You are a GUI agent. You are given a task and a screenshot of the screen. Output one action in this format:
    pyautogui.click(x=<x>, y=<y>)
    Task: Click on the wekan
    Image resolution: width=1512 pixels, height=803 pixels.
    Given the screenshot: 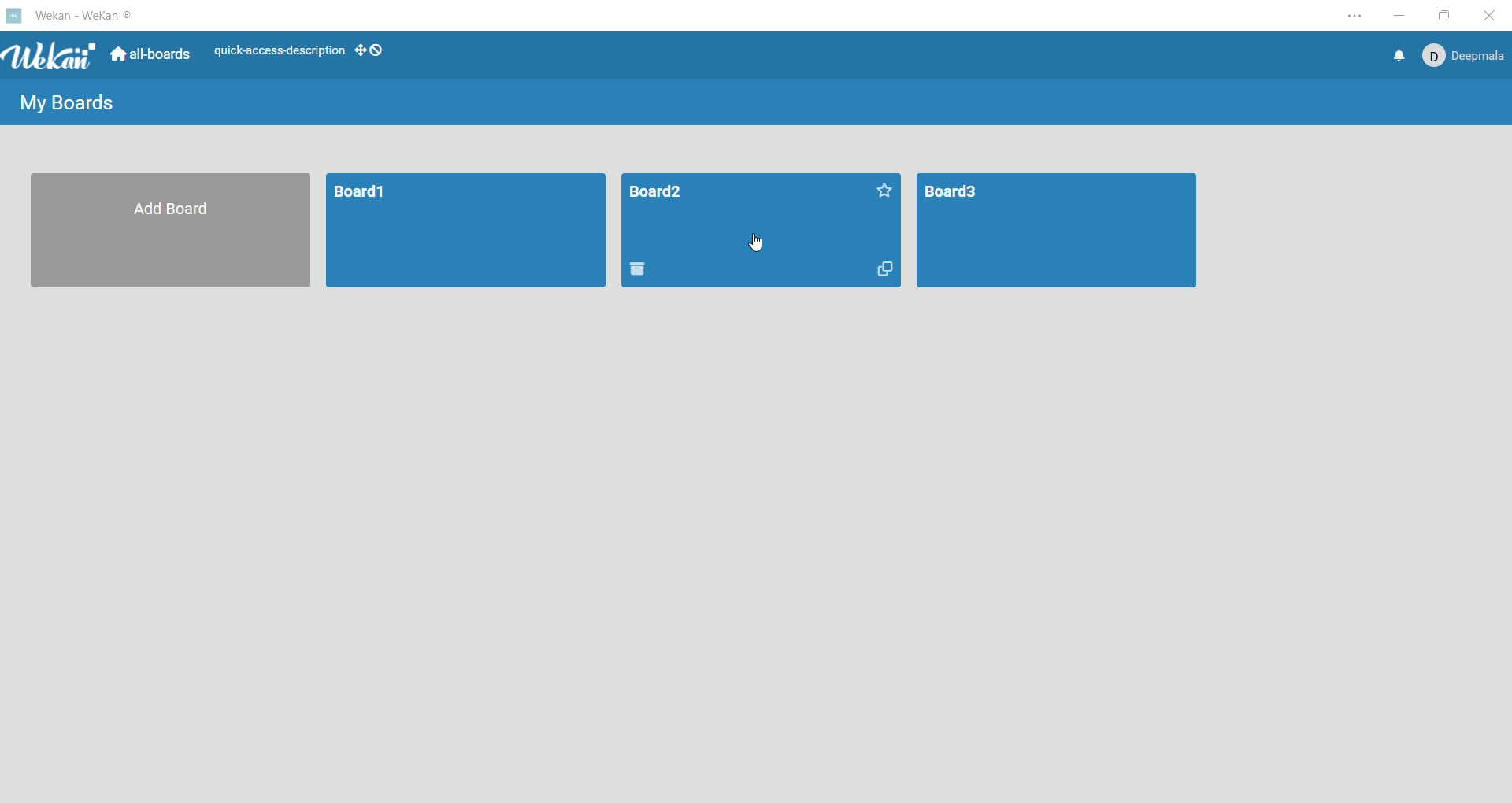 What is the action you would take?
    pyautogui.click(x=50, y=58)
    